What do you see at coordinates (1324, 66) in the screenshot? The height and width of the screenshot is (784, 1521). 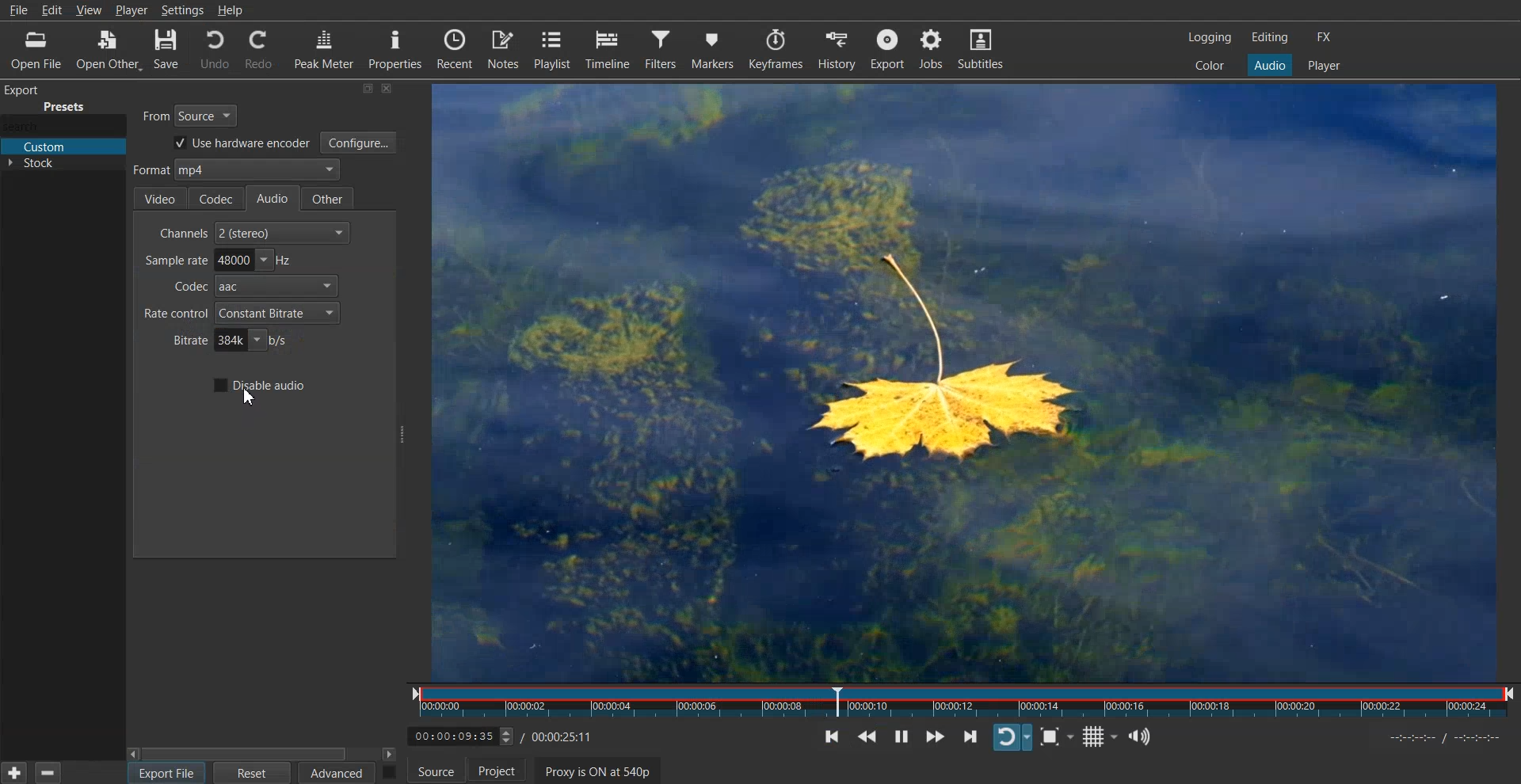 I see `Player` at bounding box center [1324, 66].